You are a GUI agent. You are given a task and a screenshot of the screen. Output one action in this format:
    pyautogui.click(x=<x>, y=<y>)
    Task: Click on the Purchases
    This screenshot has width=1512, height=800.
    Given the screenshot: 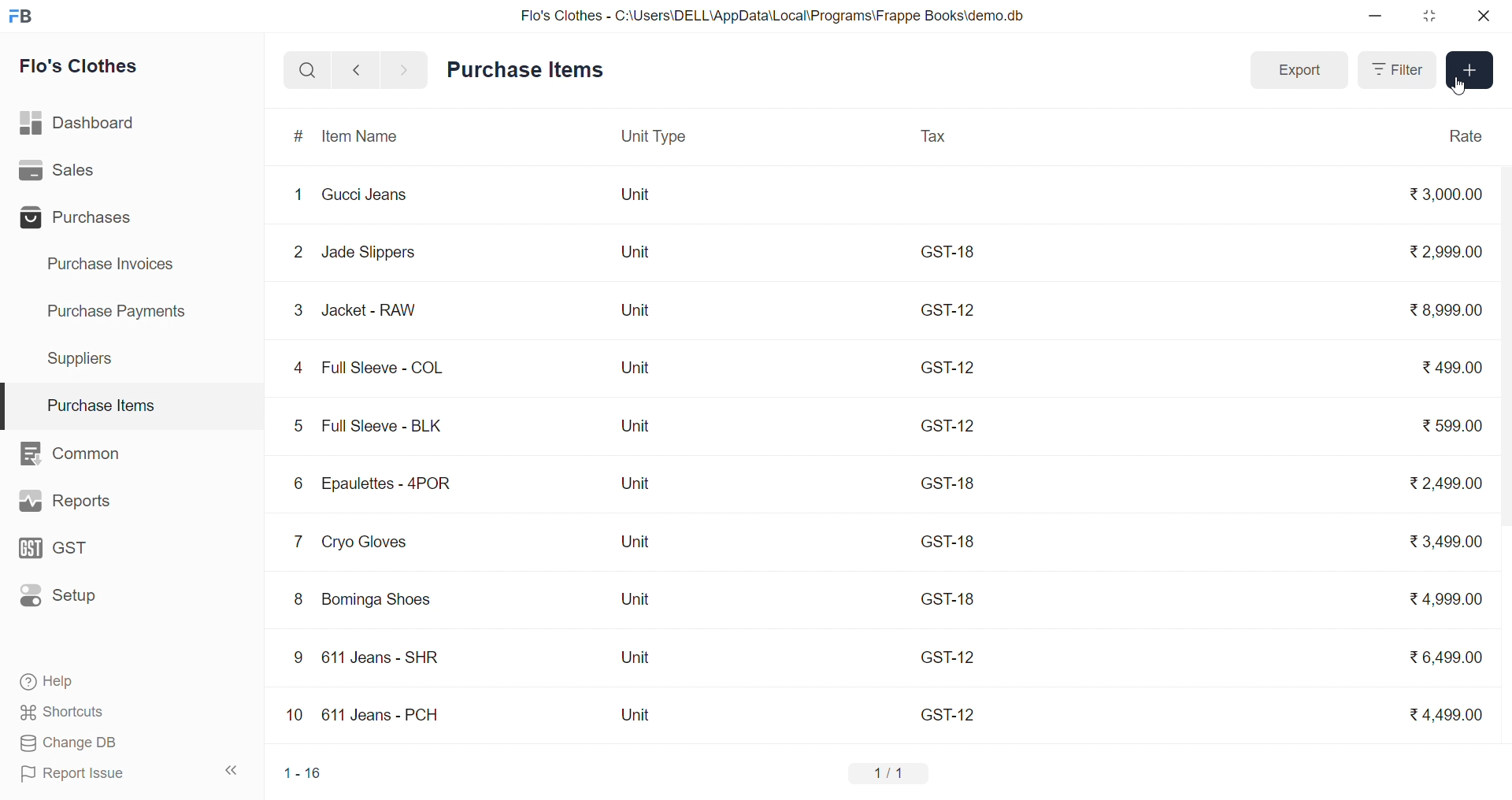 What is the action you would take?
    pyautogui.click(x=80, y=217)
    